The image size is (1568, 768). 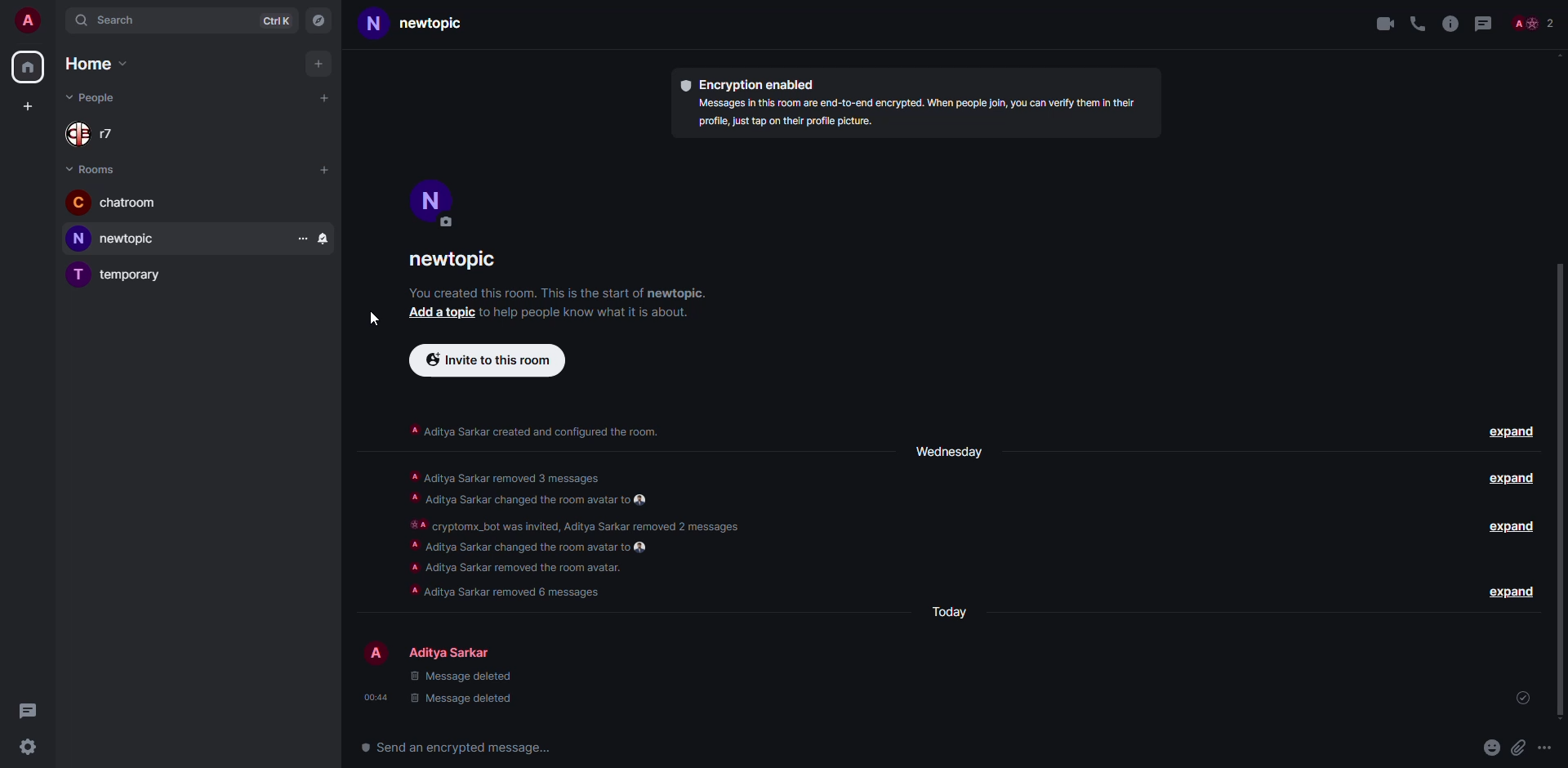 What do you see at coordinates (29, 67) in the screenshot?
I see `home` at bounding box center [29, 67].